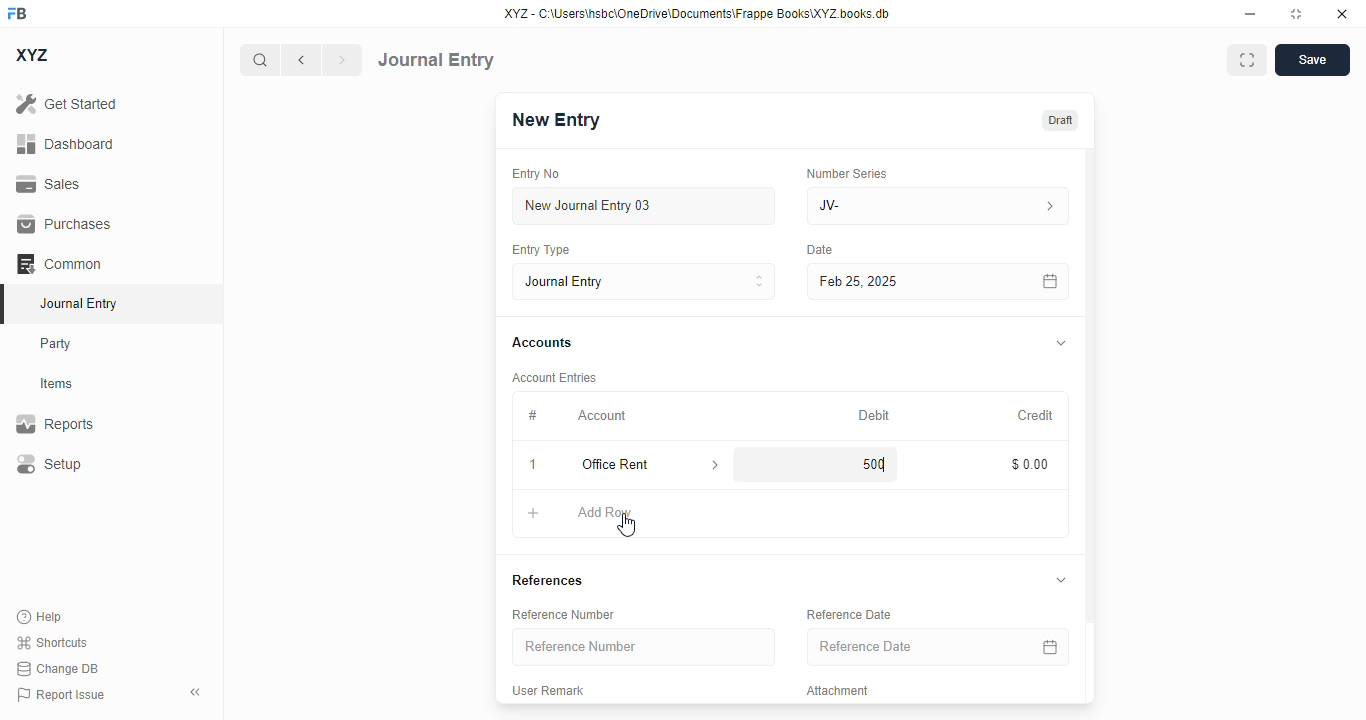  What do you see at coordinates (897, 646) in the screenshot?
I see `reference date` at bounding box center [897, 646].